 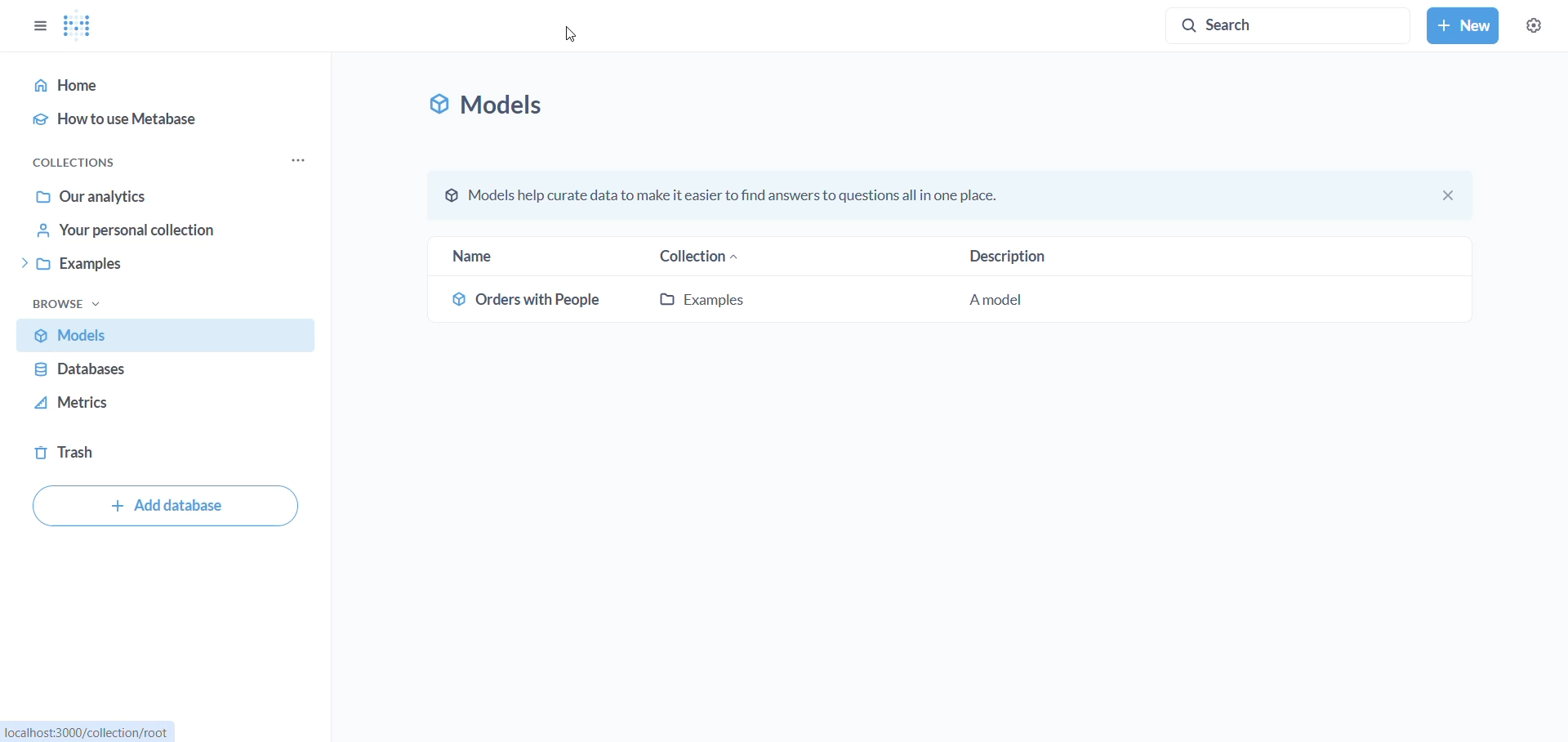 I want to click on order with people model, so click(x=519, y=299).